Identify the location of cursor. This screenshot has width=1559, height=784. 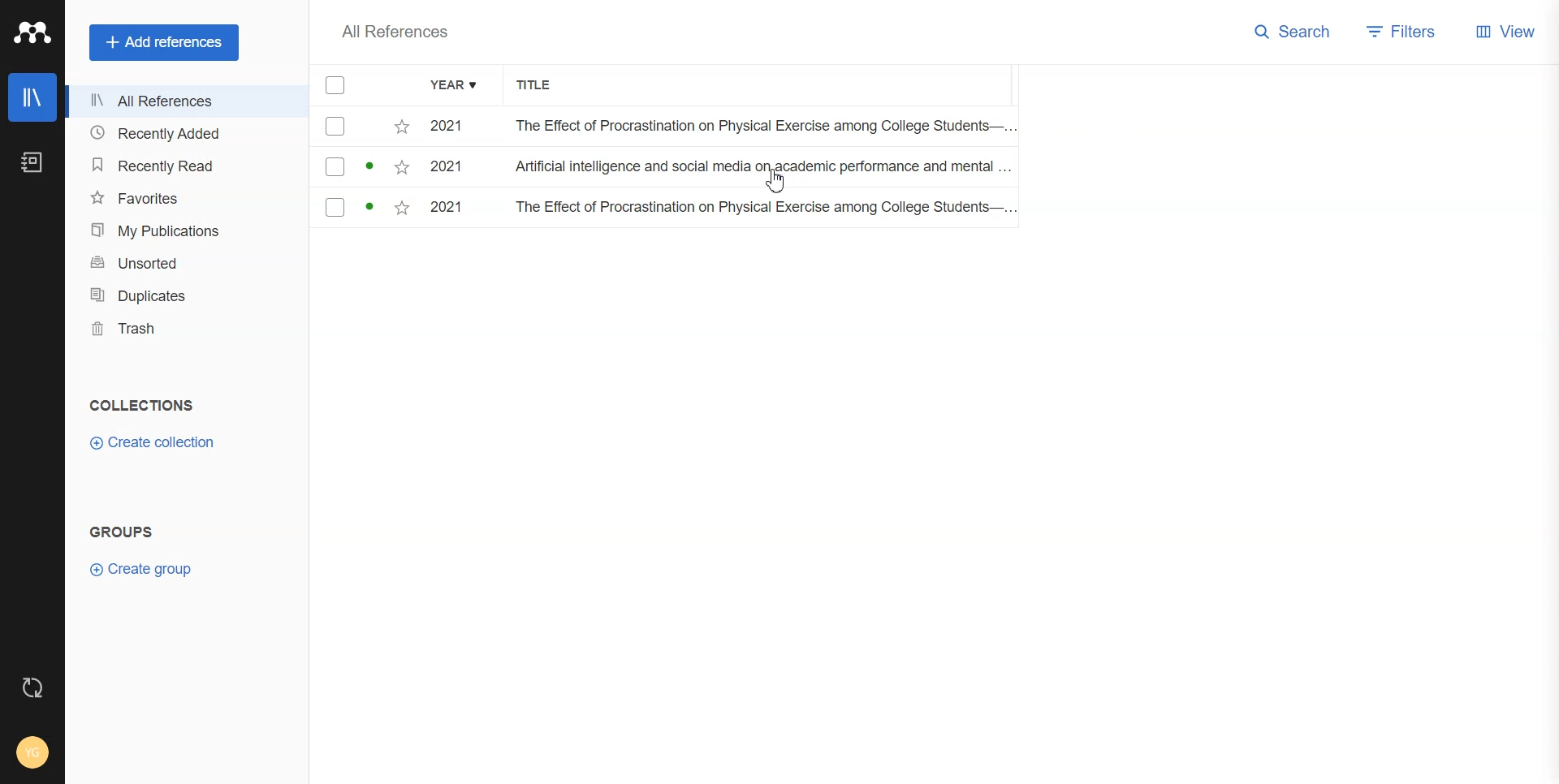
(779, 188).